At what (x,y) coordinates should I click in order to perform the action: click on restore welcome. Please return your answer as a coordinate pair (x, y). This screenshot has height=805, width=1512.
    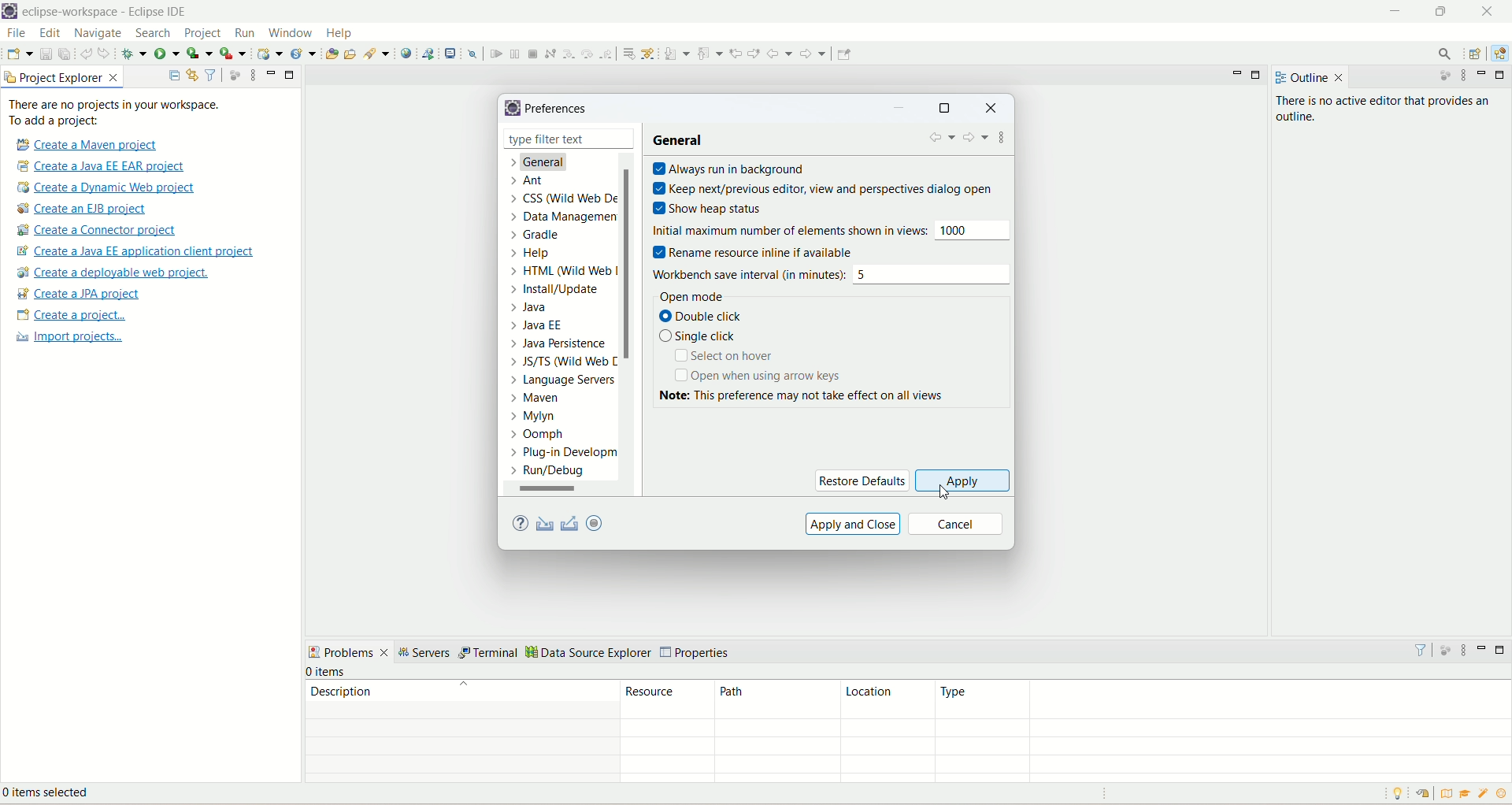
    Looking at the image, I should click on (1421, 794).